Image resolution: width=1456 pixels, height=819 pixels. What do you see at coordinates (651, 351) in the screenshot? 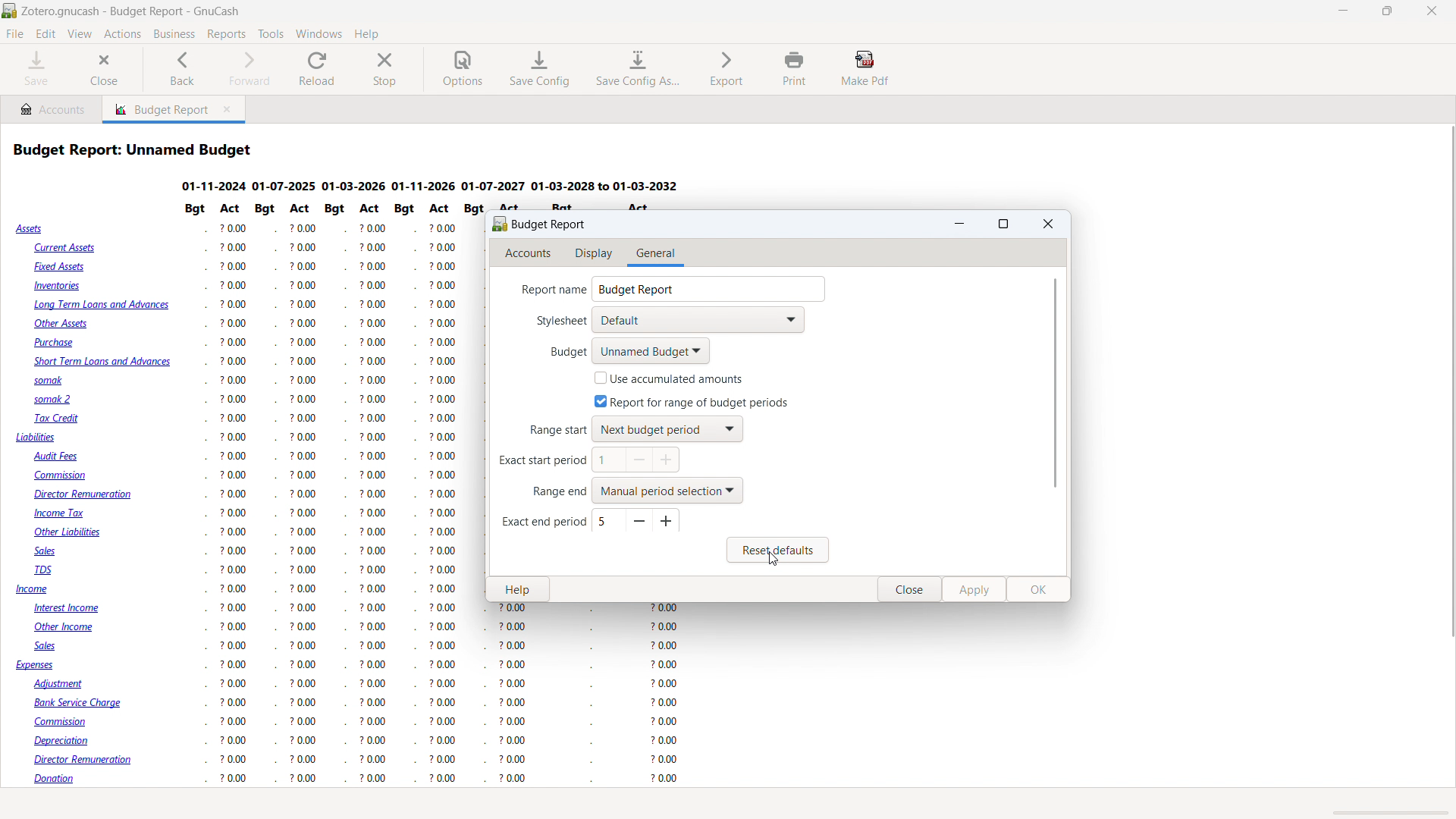
I see `select budget` at bounding box center [651, 351].